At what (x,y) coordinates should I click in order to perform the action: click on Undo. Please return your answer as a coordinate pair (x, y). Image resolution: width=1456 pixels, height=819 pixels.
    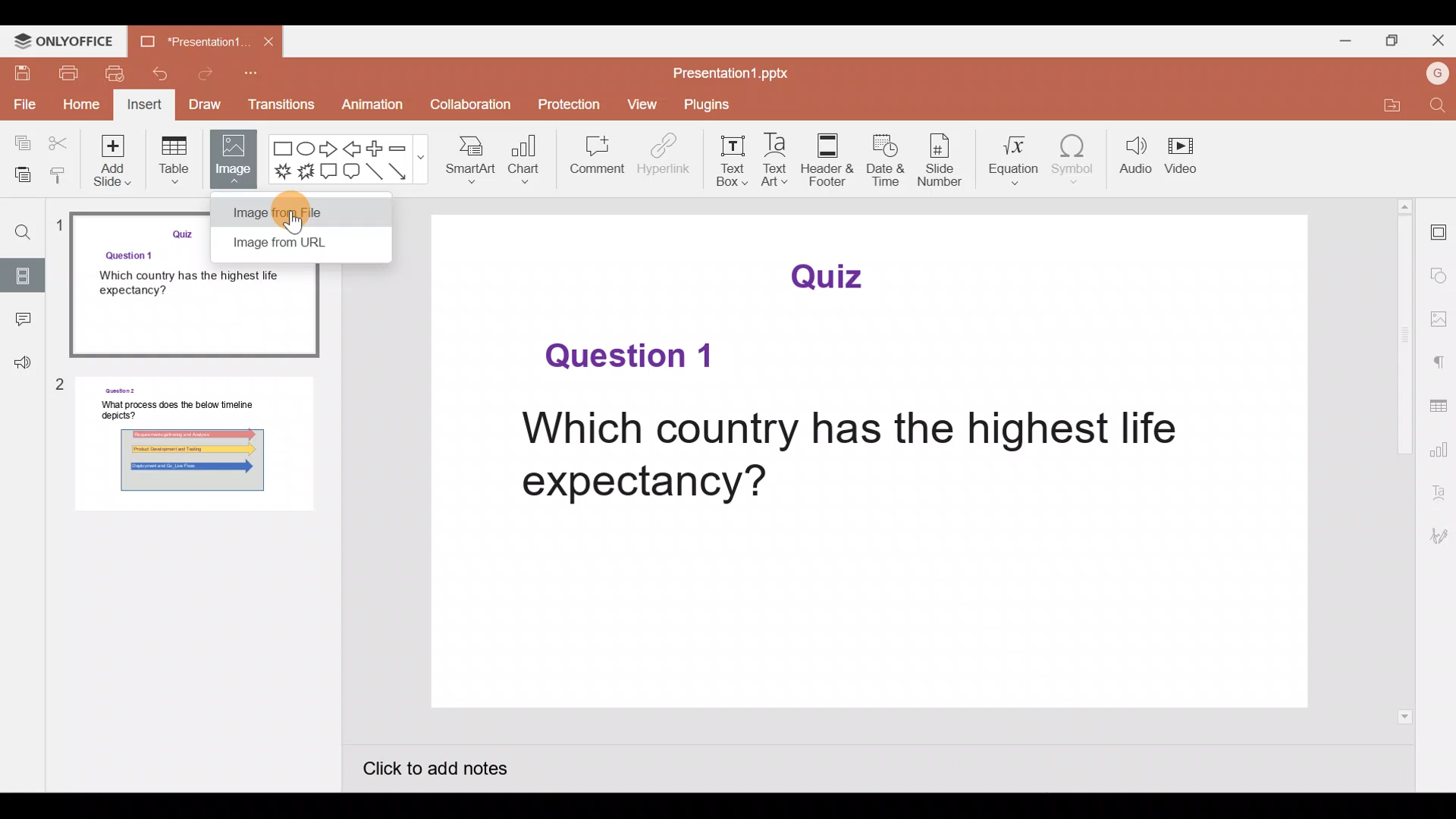
    Looking at the image, I should click on (167, 74).